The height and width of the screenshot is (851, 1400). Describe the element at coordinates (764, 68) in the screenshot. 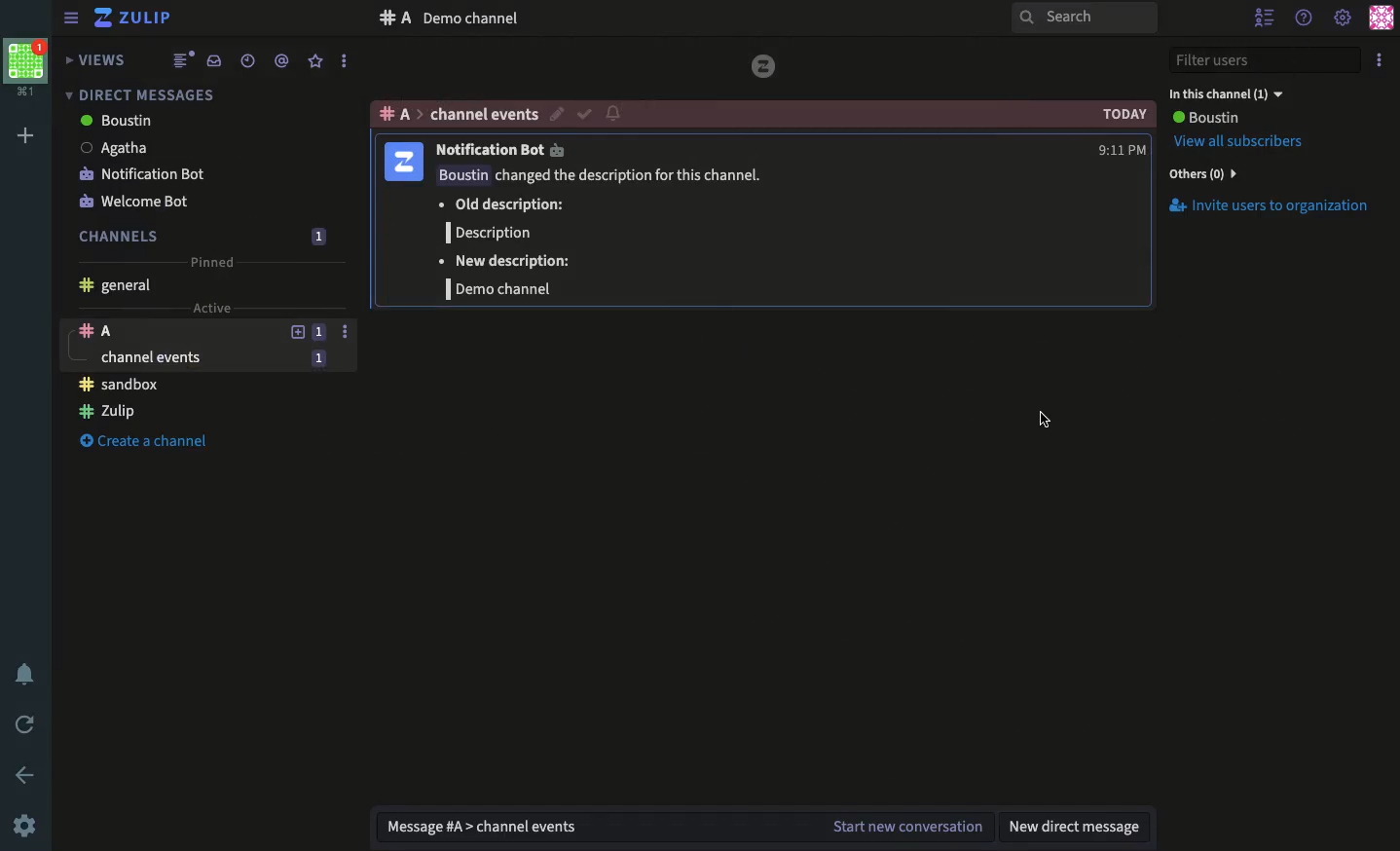

I see `zulip logo` at that location.